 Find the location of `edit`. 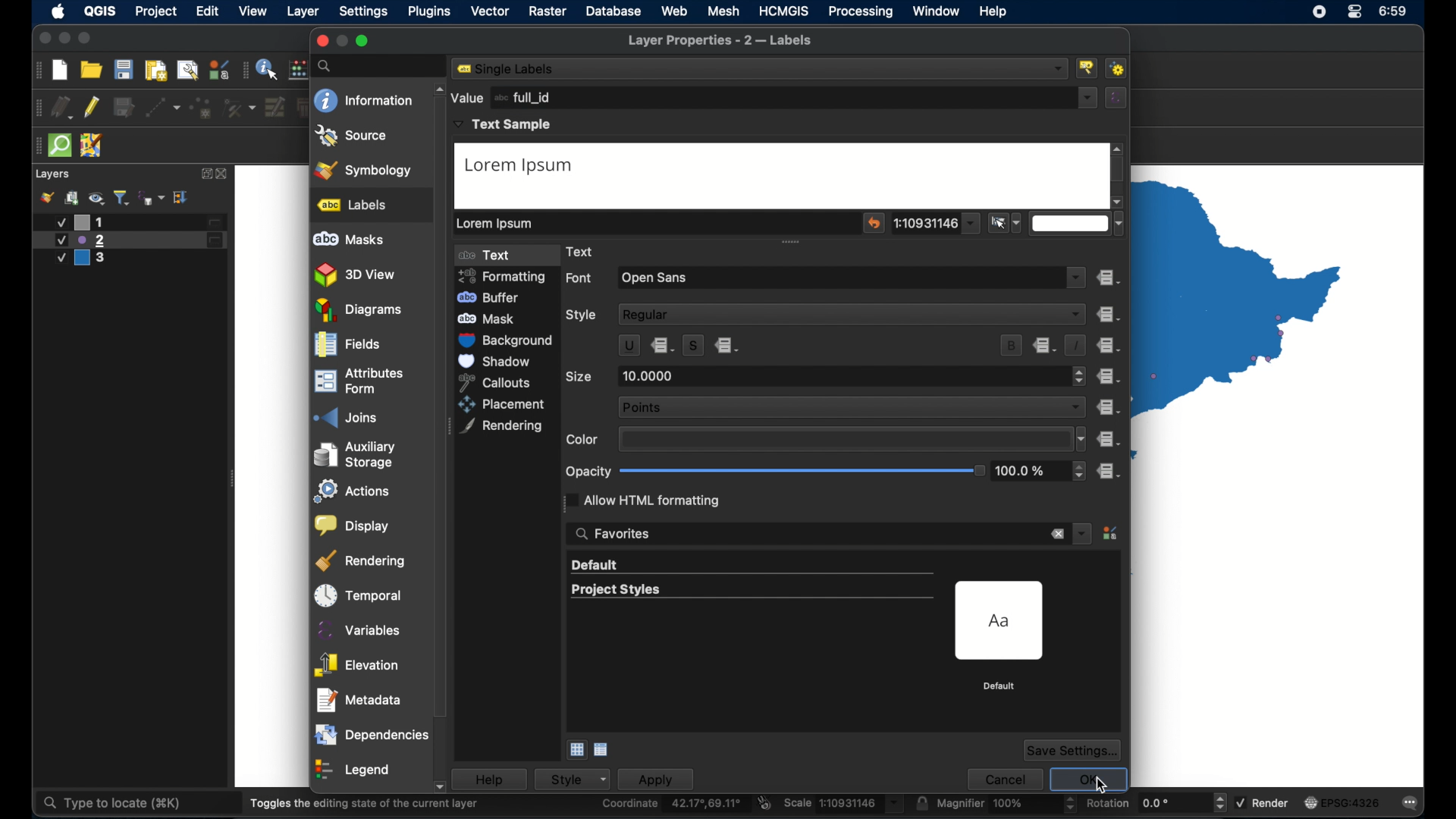

edit is located at coordinates (209, 11).